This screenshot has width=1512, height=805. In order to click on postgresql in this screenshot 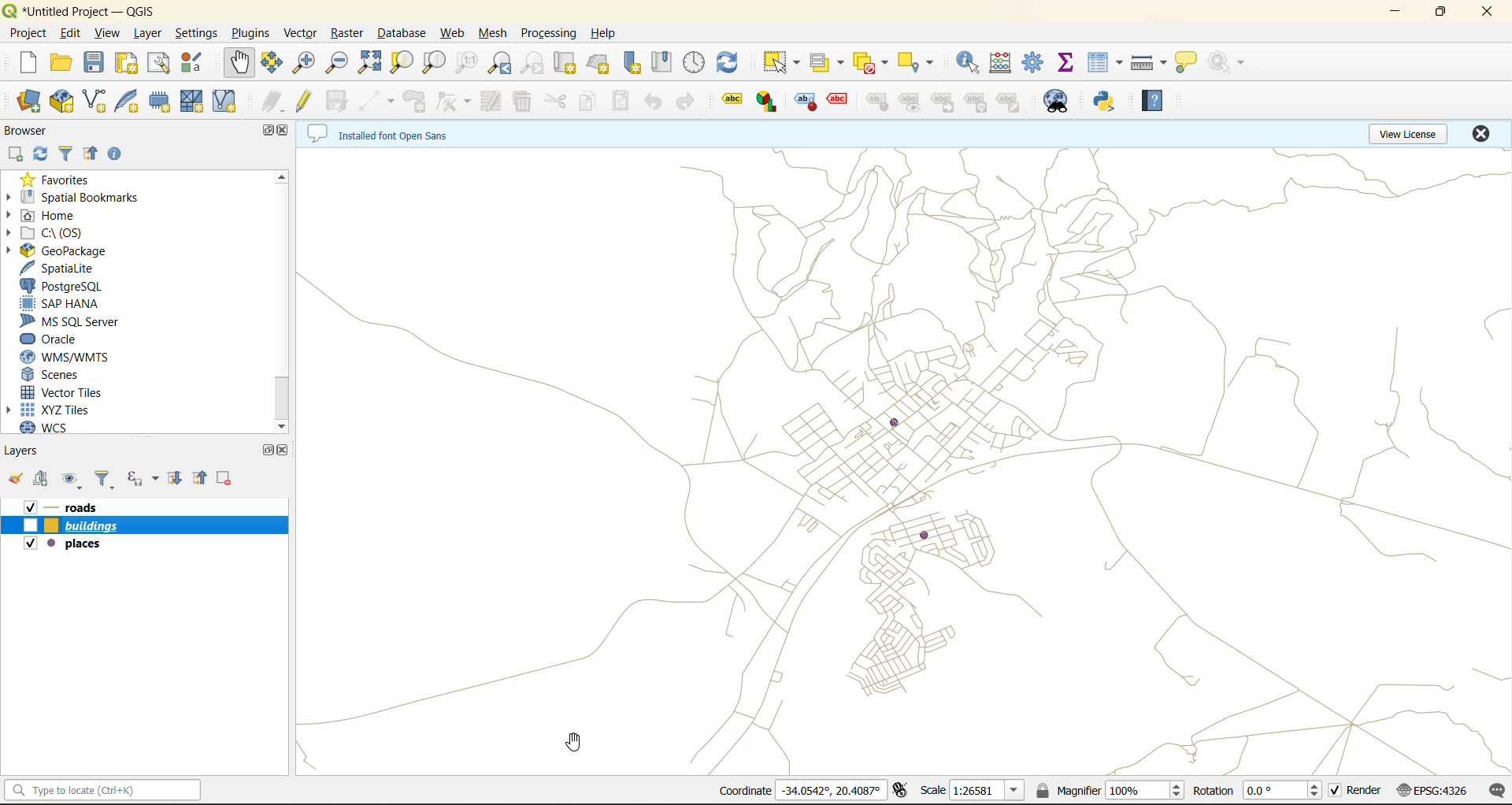, I will do `click(67, 287)`.